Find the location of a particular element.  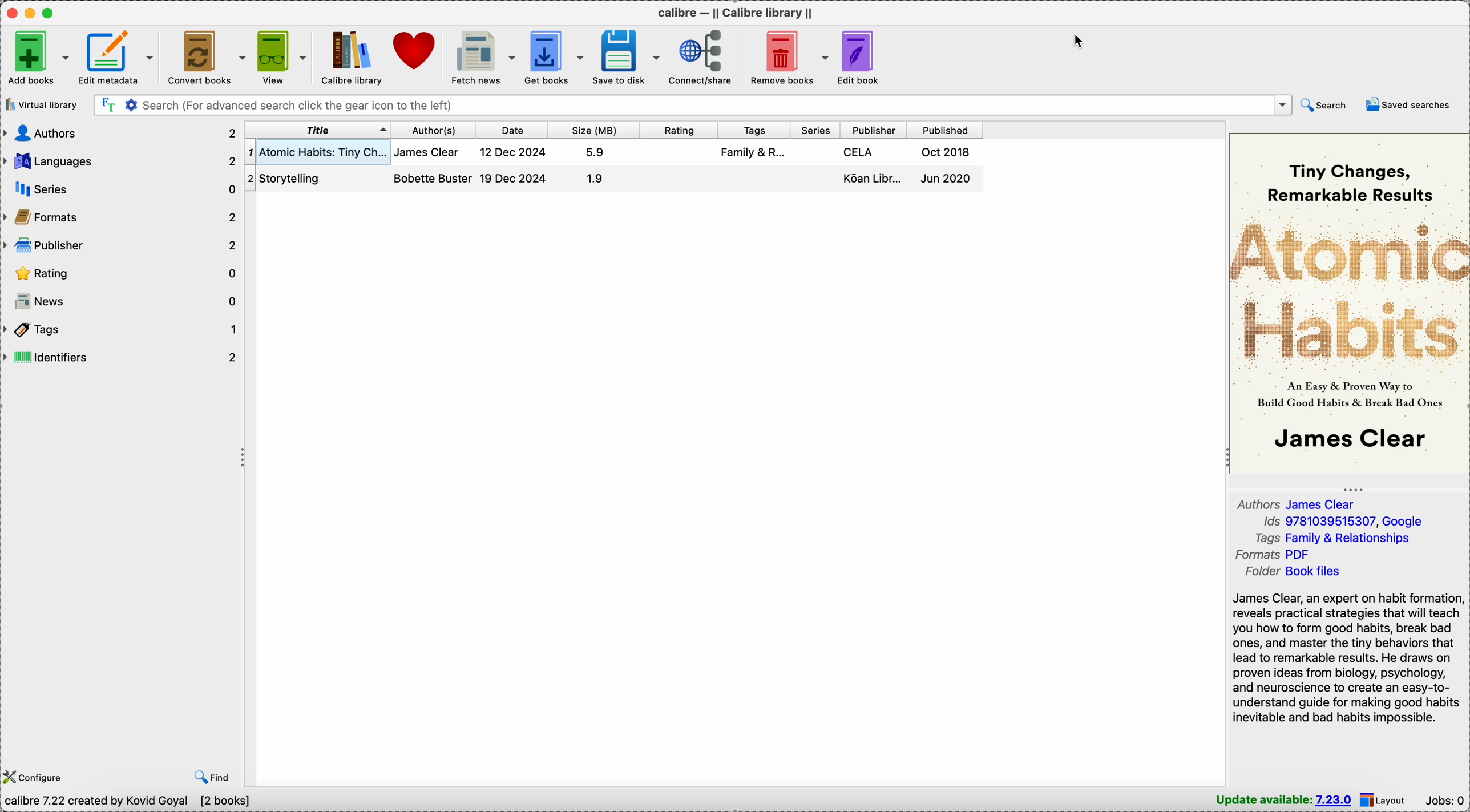

drag handle is located at coordinates (244, 458).